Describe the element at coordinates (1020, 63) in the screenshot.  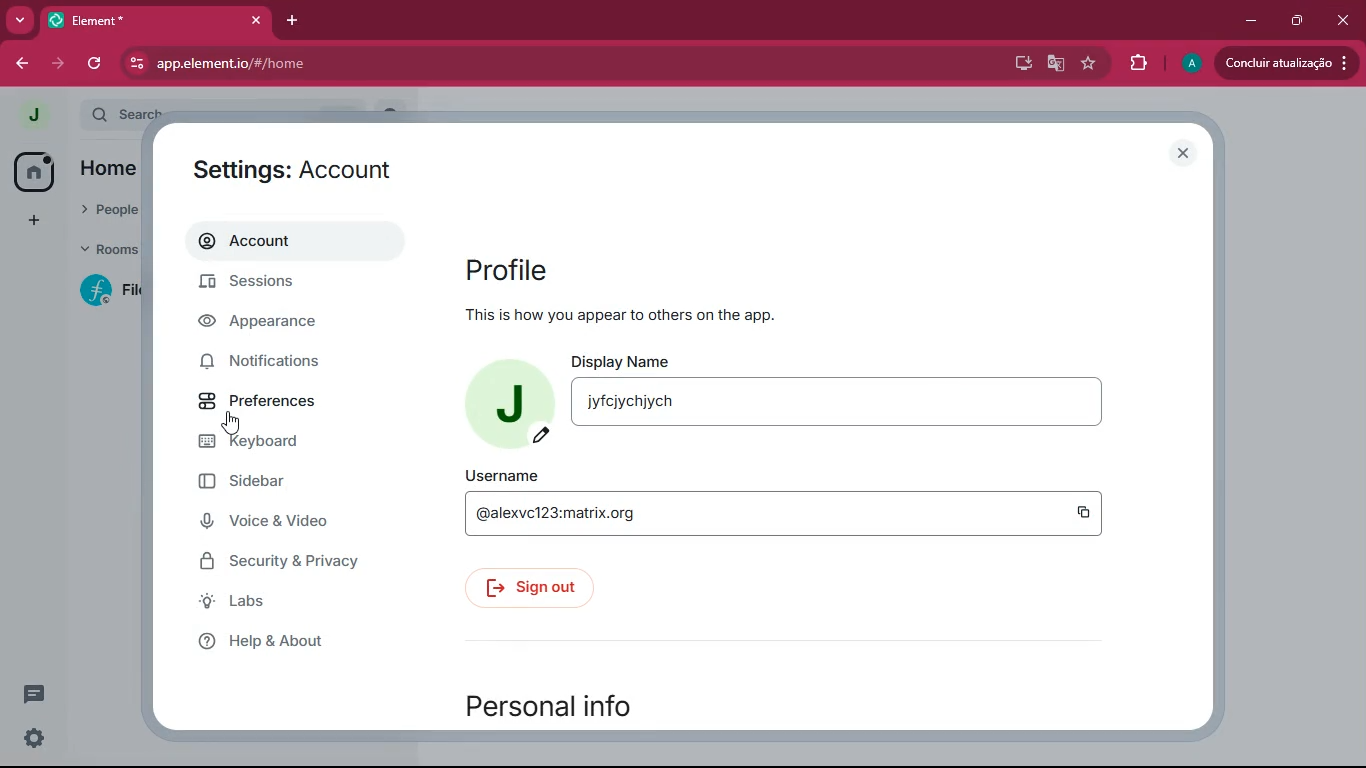
I see `desktop` at that location.